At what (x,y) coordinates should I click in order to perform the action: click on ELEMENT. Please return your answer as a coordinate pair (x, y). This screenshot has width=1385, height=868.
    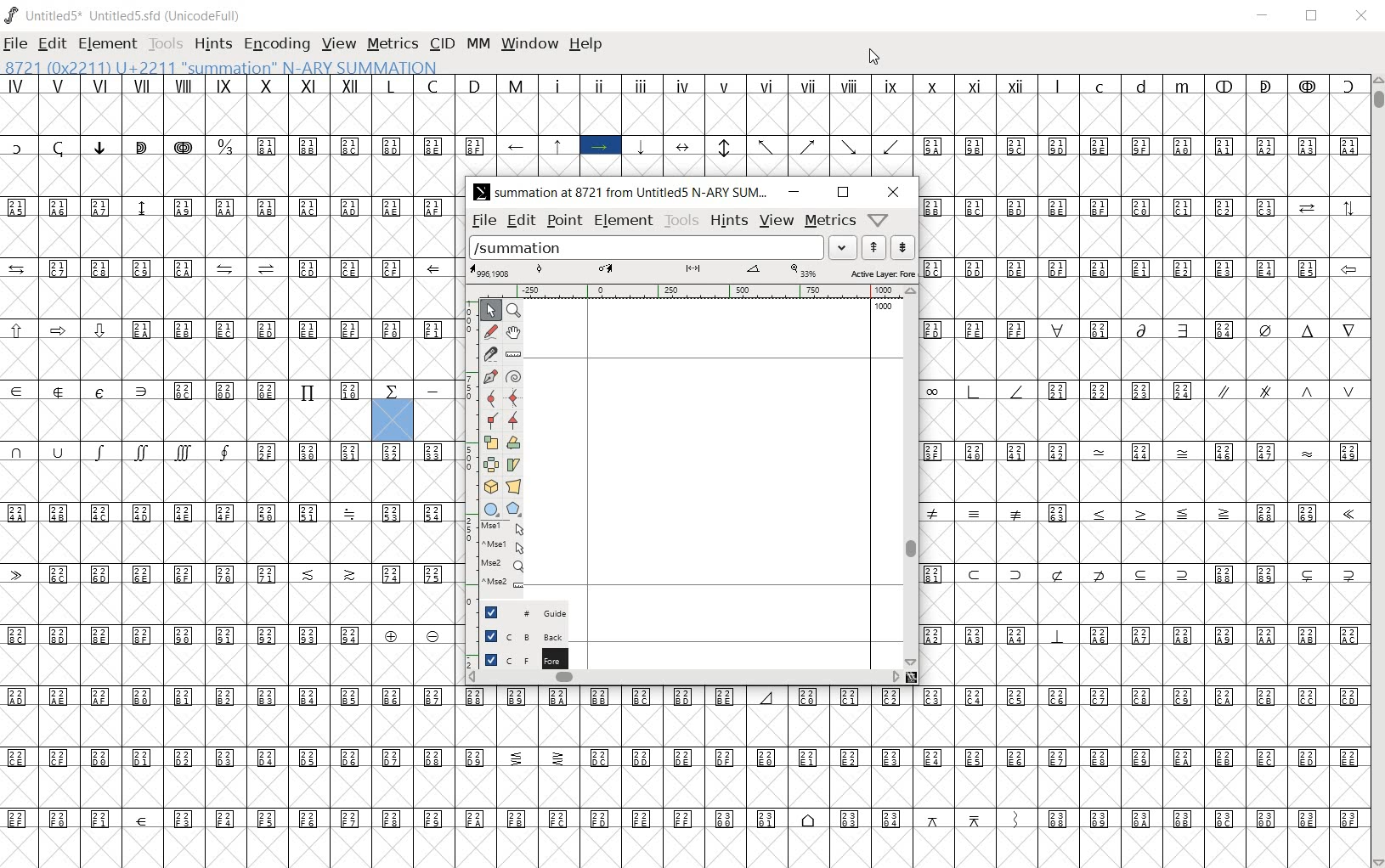
    Looking at the image, I should click on (109, 43).